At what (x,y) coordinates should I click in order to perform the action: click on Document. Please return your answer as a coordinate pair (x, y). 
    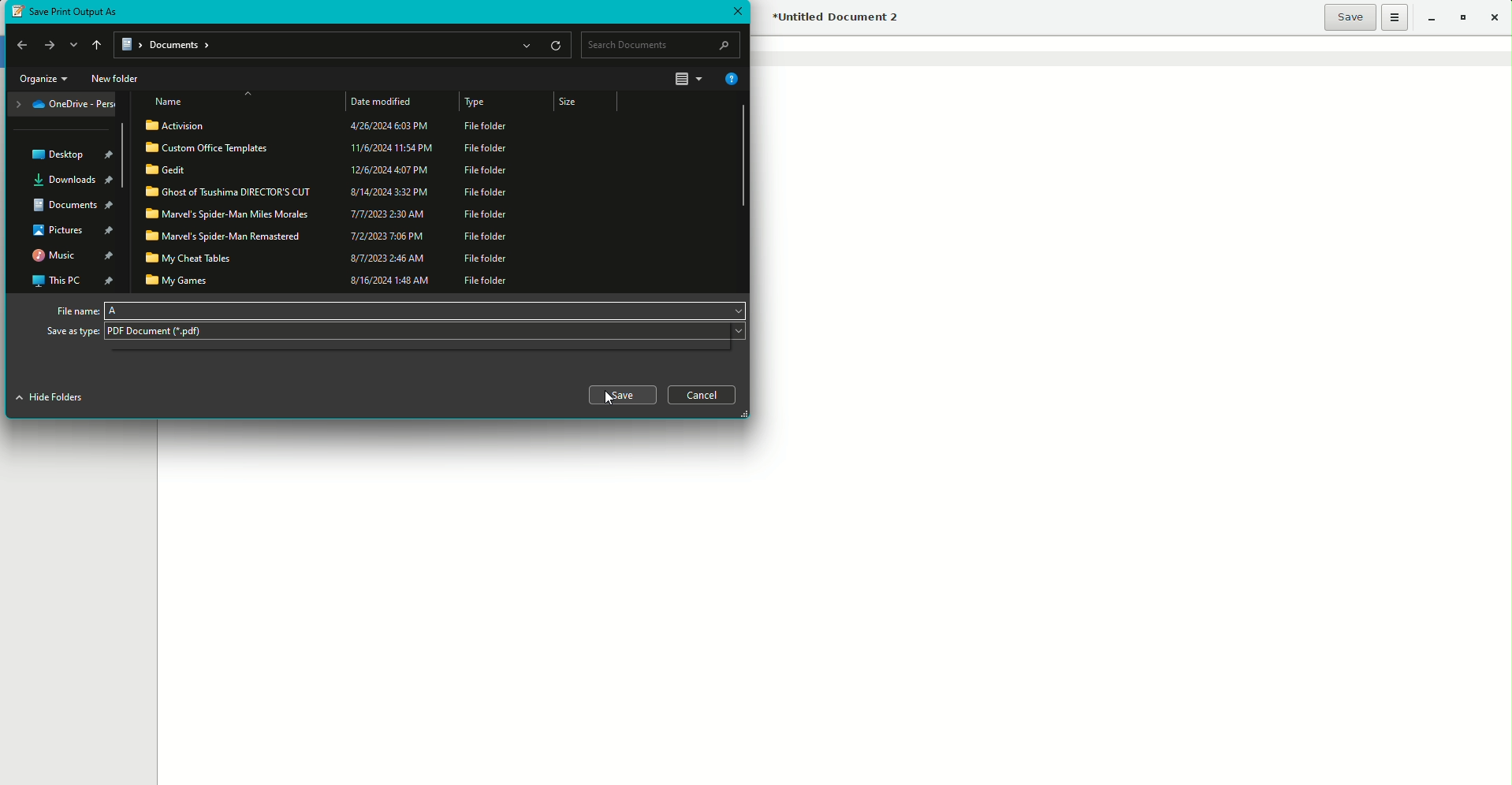
    Looking at the image, I should click on (70, 207).